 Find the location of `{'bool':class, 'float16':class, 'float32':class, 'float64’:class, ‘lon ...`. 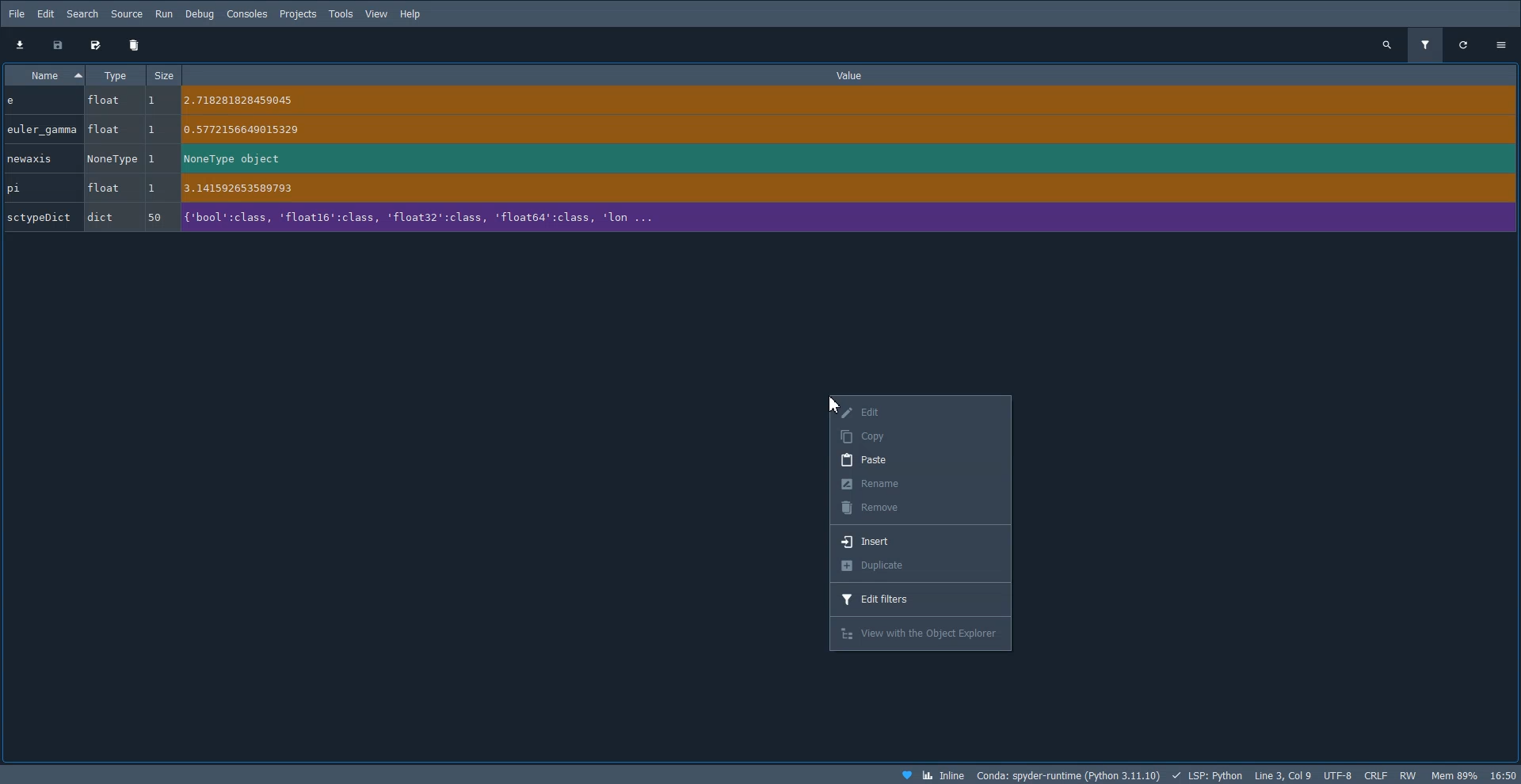

{'bool':class, 'float16':class, 'float32':class, 'float64’:class, ‘lon ... is located at coordinates (428, 219).